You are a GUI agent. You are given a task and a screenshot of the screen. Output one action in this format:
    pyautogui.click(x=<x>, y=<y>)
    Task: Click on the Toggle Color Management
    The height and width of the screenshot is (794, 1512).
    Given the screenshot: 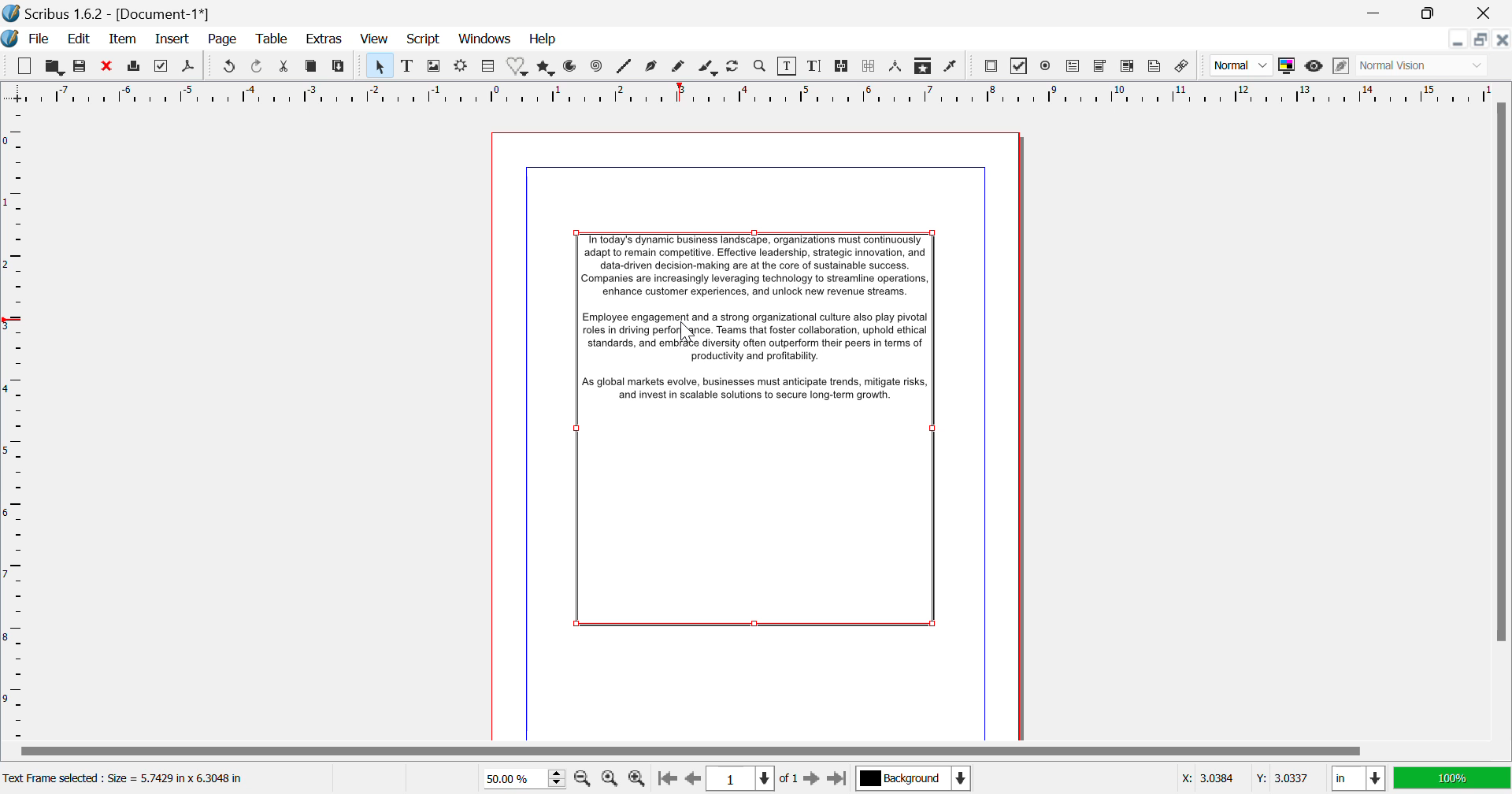 What is the action you would take?
    pyautogui.click(x=1288, y=65)
    